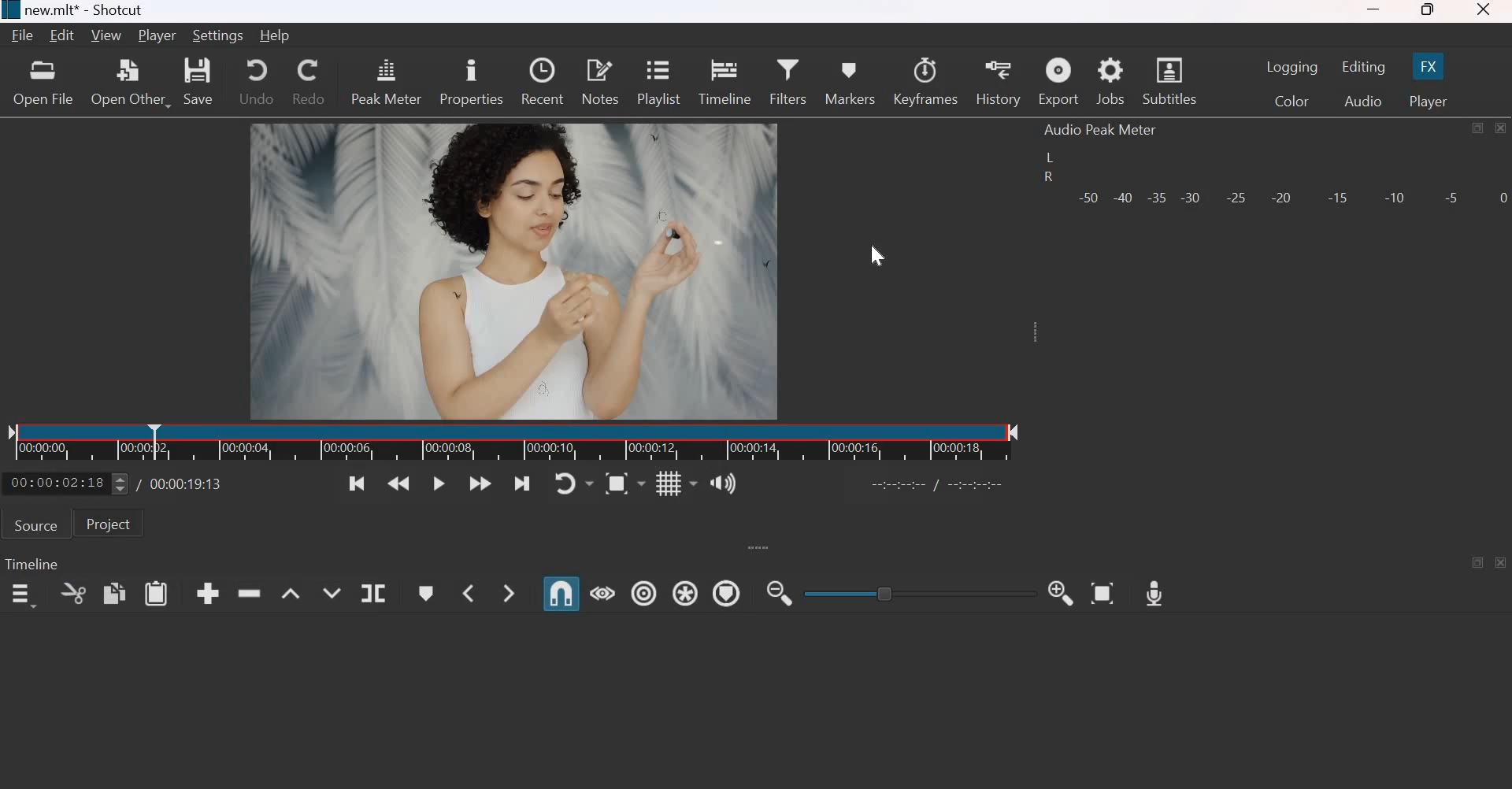  Describe the element at coordinates (156, 593) in the screenshot. I see `paste` at that location.